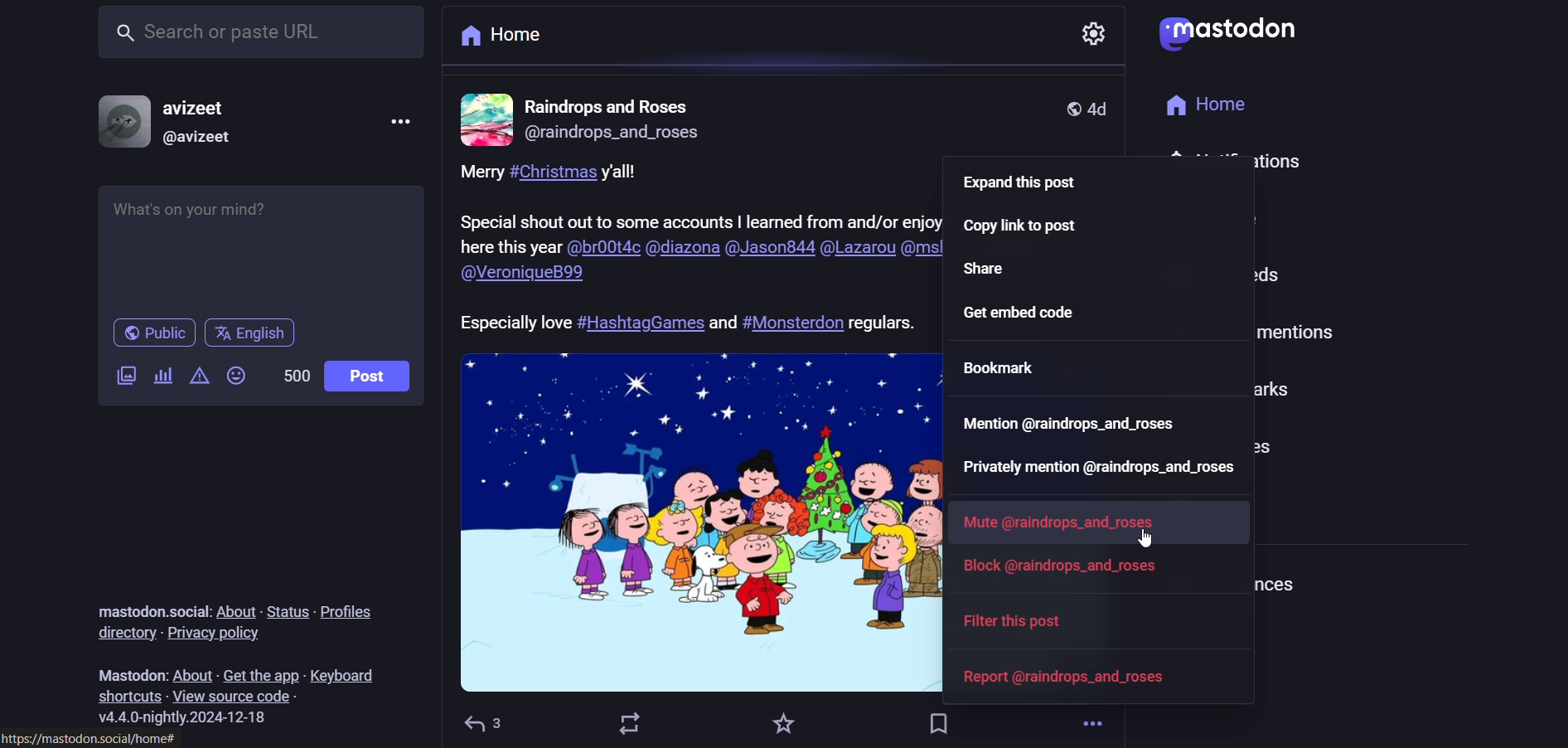  Describe the element at coordinates (611, 104) in the screenshot. I see `user` at that location.